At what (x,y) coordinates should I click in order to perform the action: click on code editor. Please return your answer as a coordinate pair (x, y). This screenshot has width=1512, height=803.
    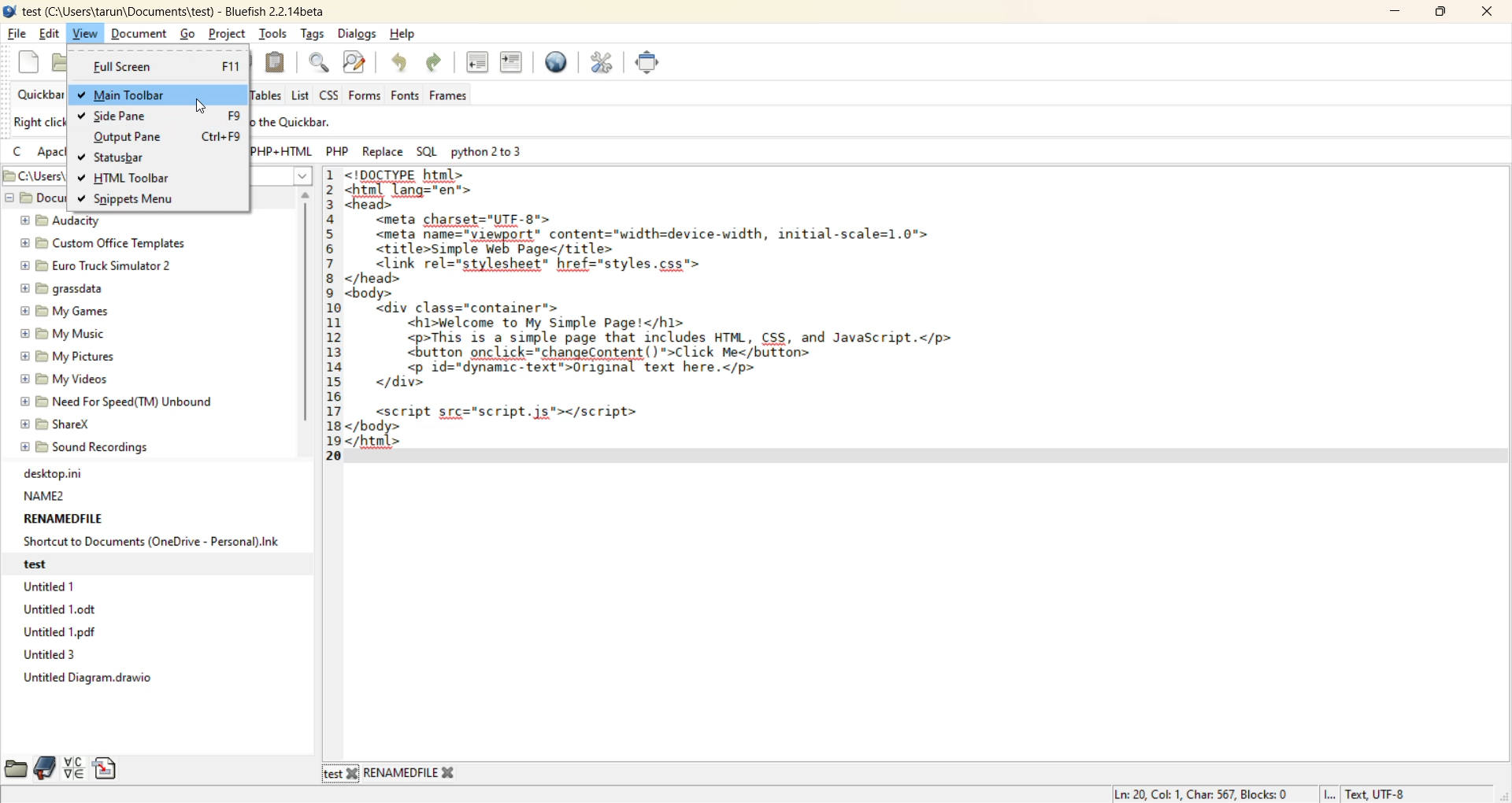
    Looking at the image, I should click on (695, 317).